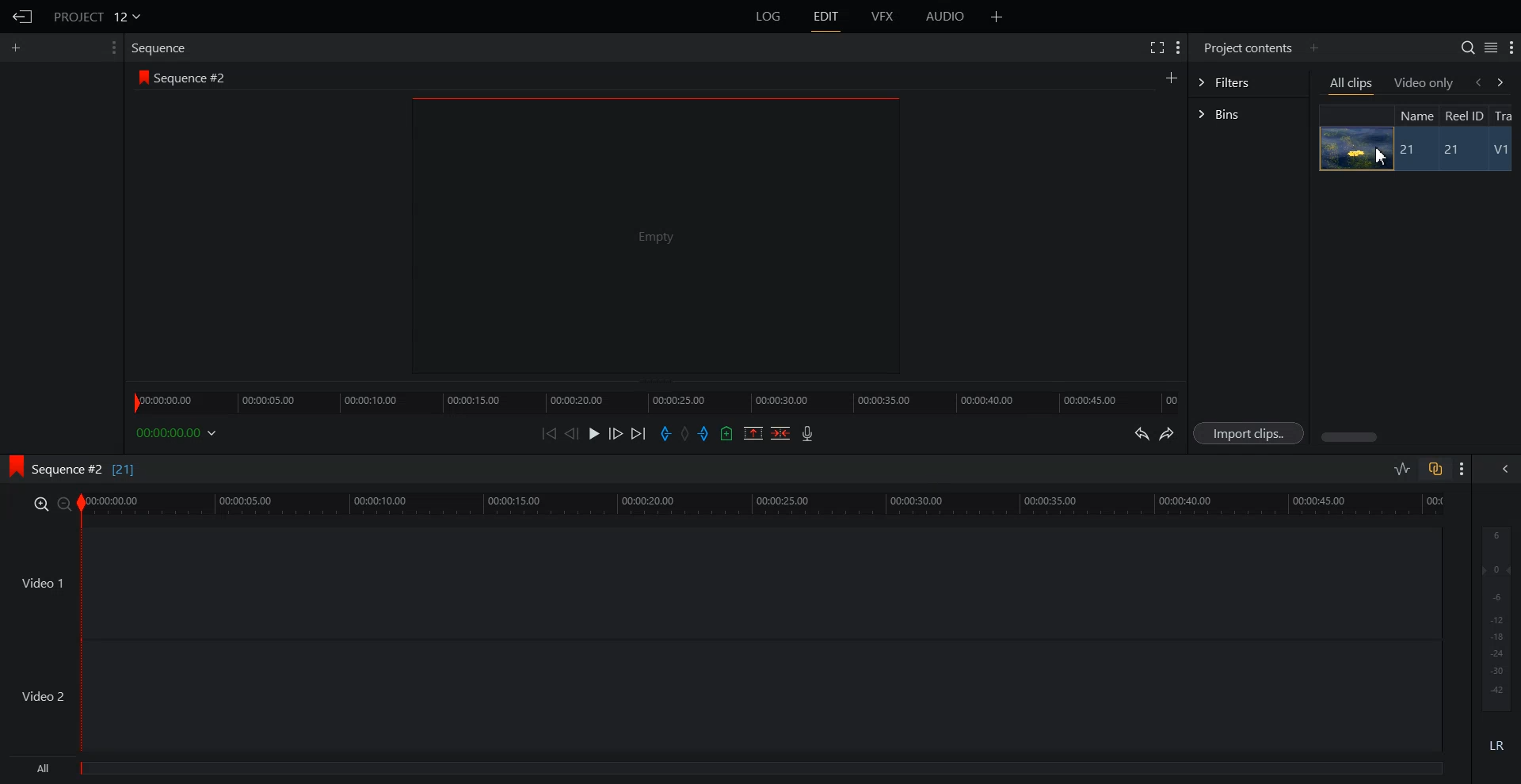 This screenshot has height=784, width=1521. What do you see at coordinates (997, 17) in the screenshot?
I see `Add panel` at bounding box center [997, 17].